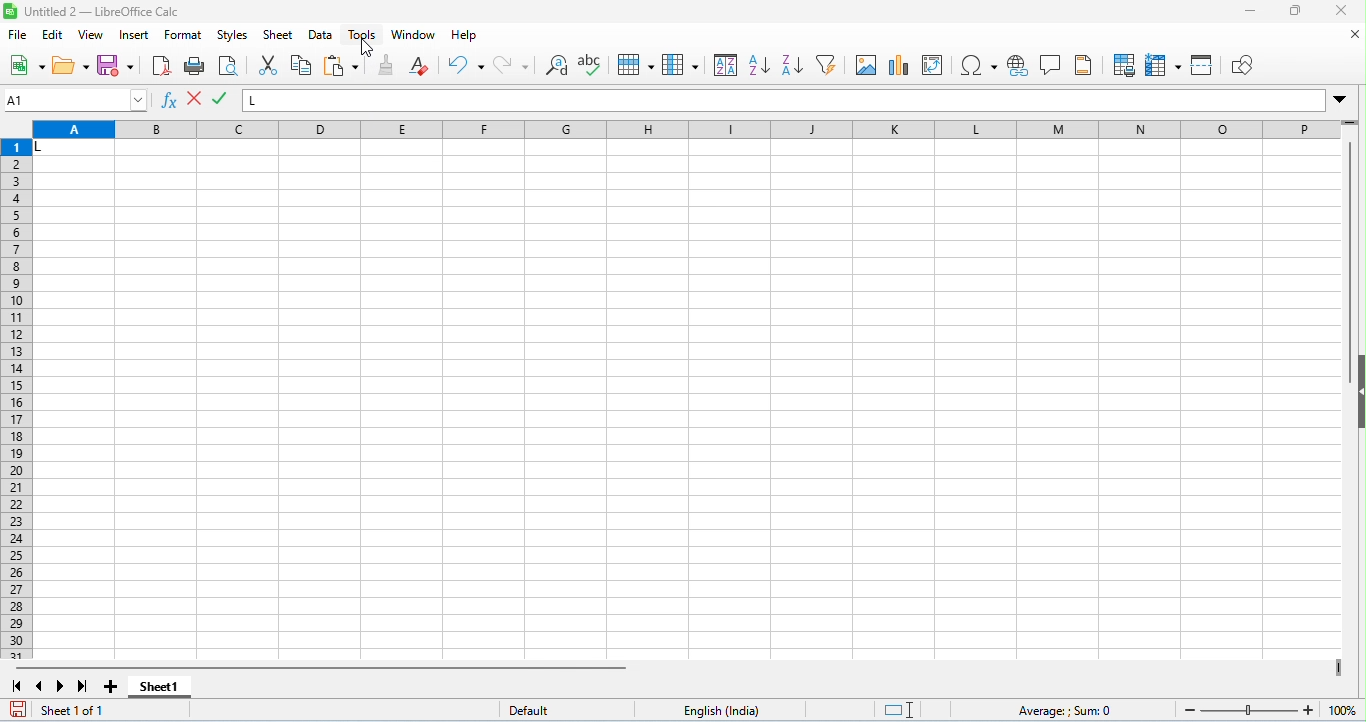 The height and width of the screenshot is (722, 1366). Describe the element at coordinates (728, 710) in the screenshot. I see `language` at that location.